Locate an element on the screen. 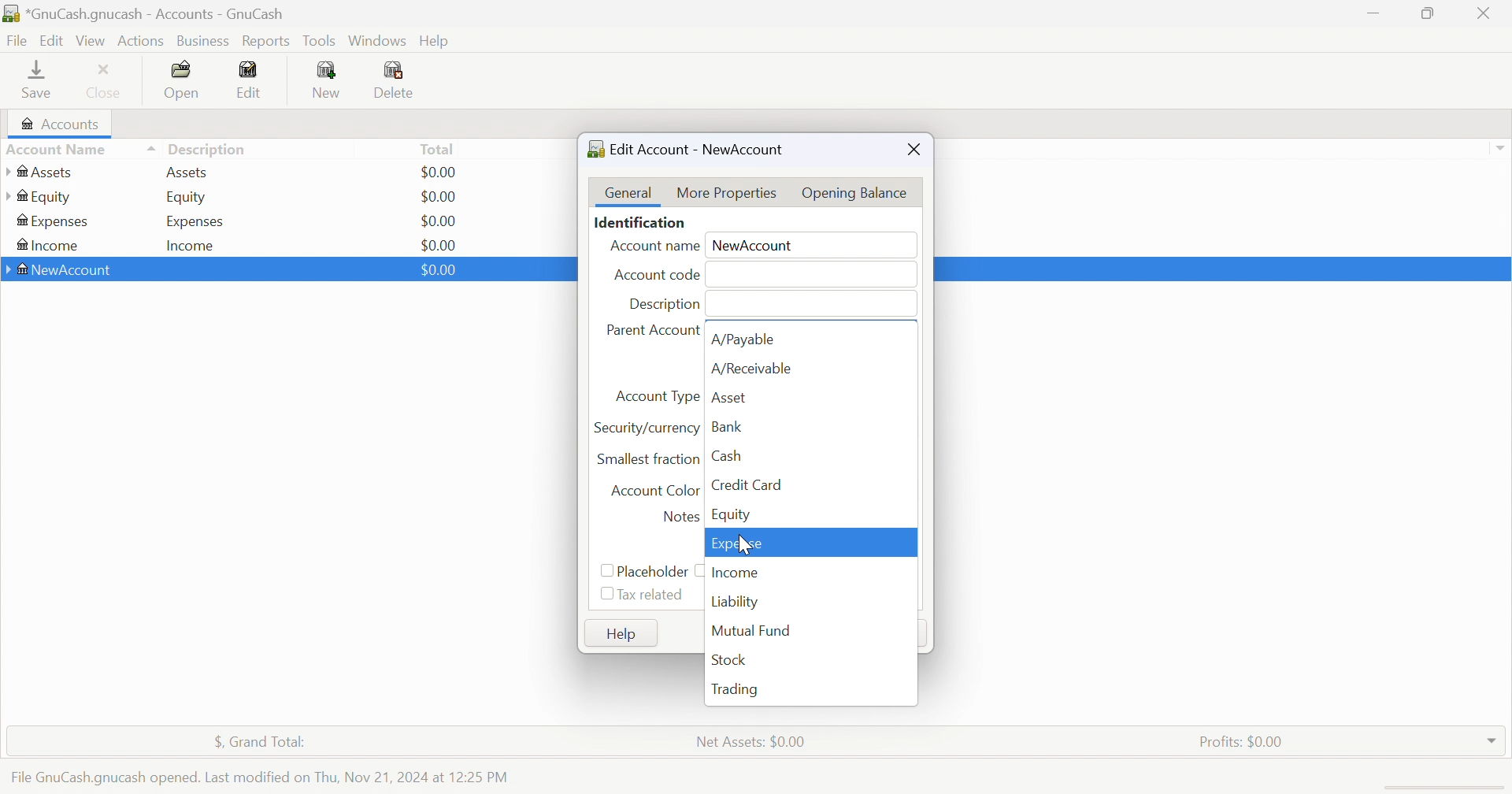 This screenshot has width=1512, height=794. Liability is located at coordinates (736, 602).